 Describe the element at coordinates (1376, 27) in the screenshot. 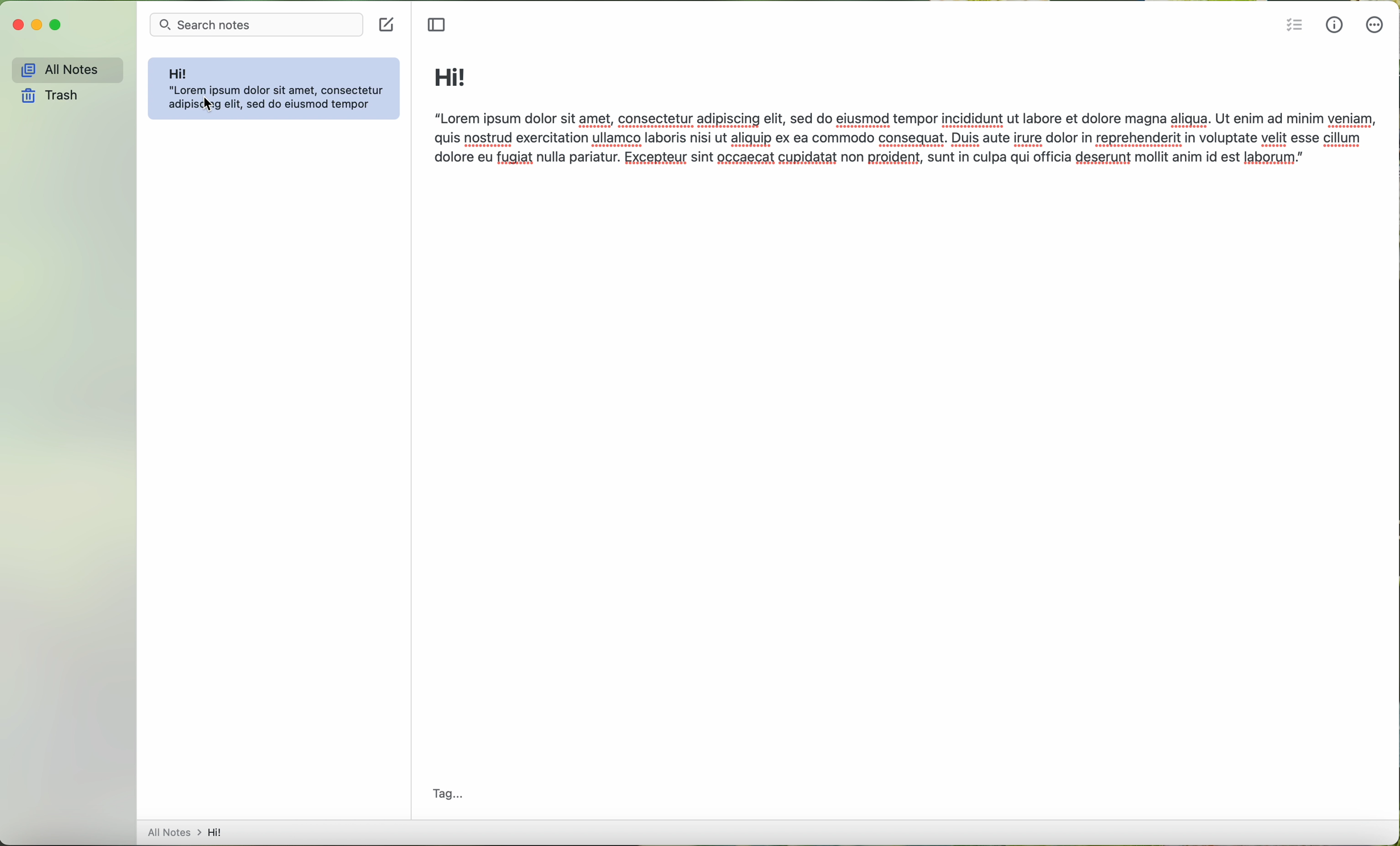

I see `more options` at that location.